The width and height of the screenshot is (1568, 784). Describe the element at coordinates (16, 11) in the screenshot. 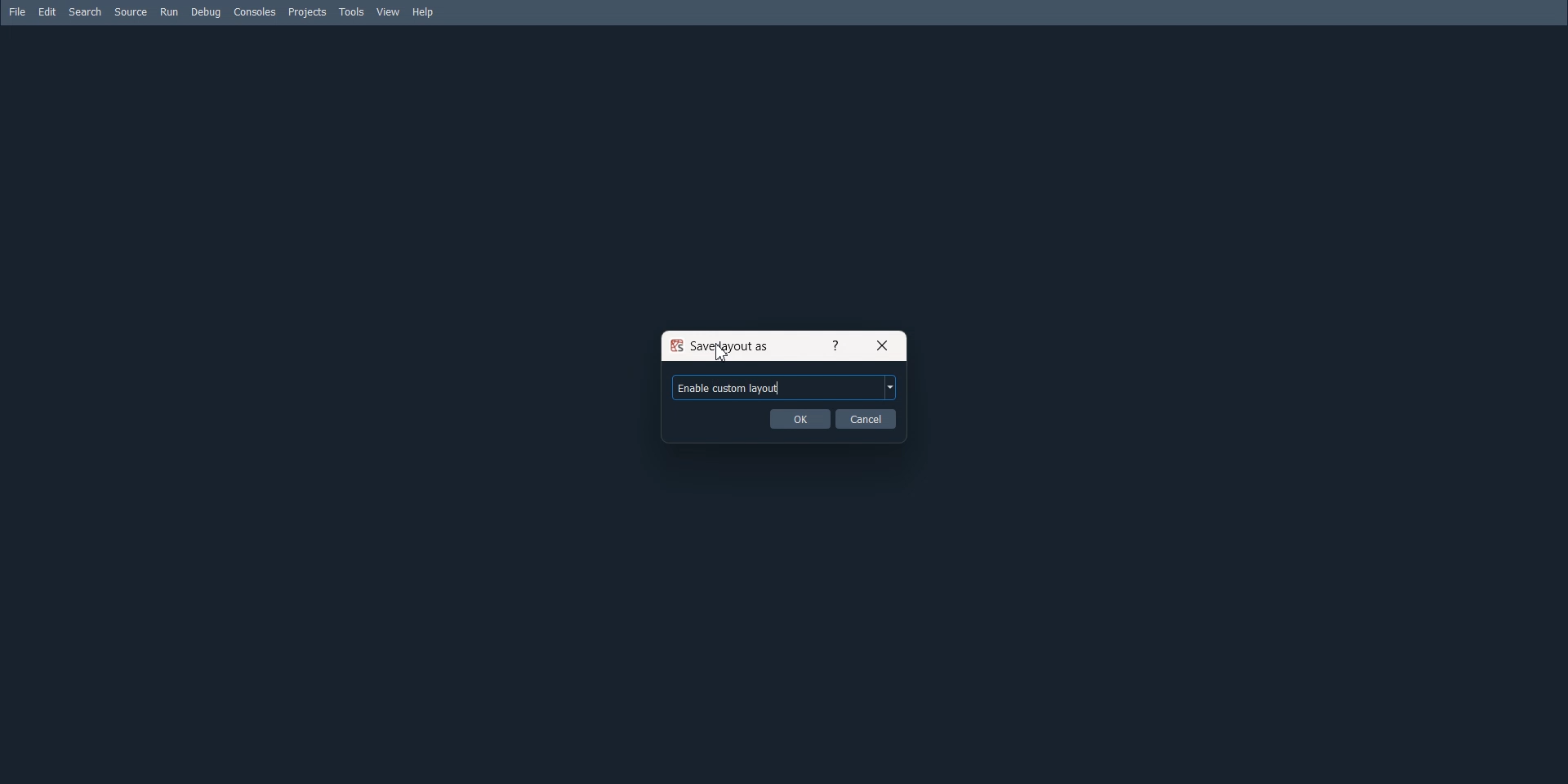

I see `File` at that location.